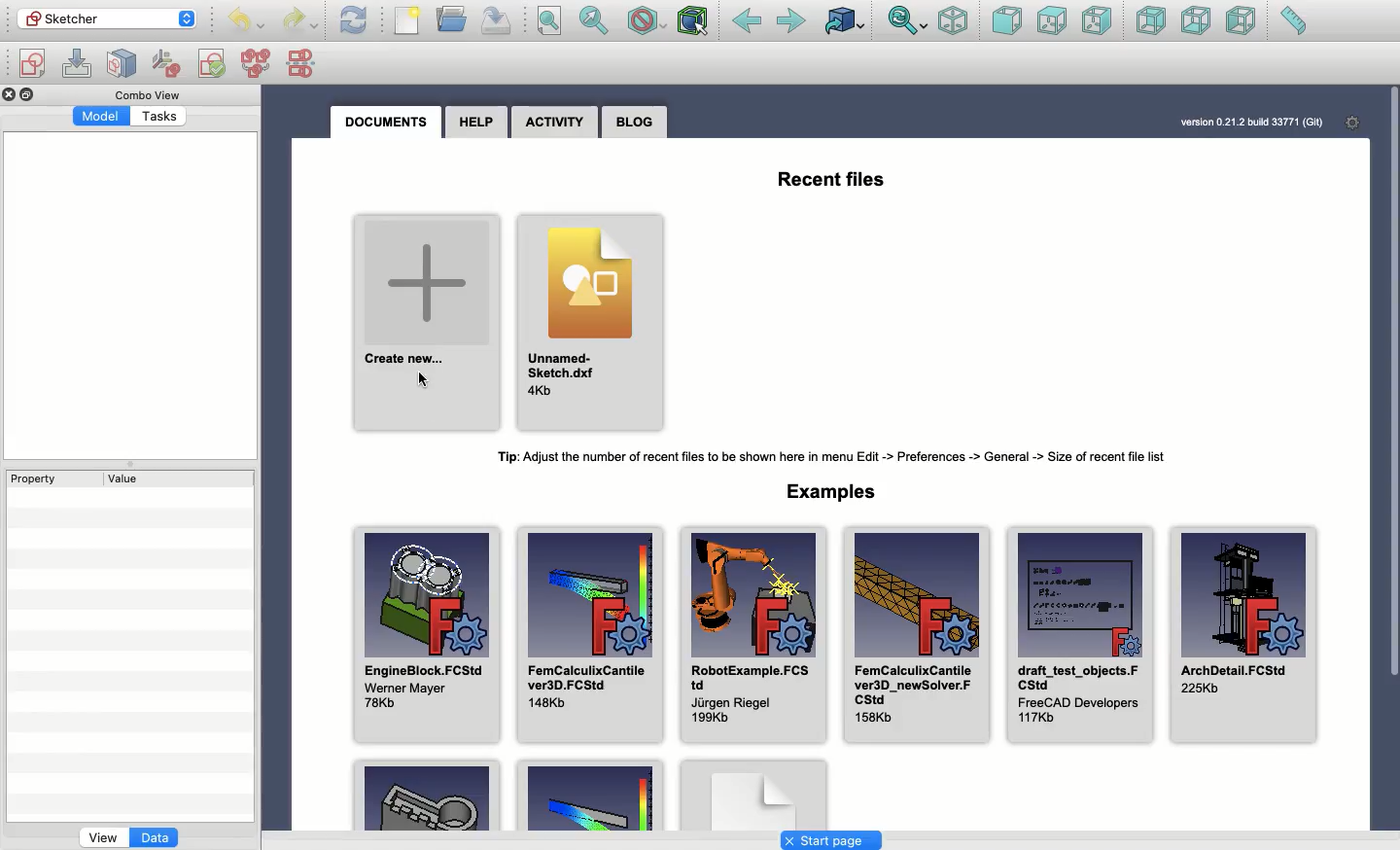 This screenshot has width=1400, height=850. Describe the element at coordinates (108, 19) in the screenshot. I see `Workbench` at that location.